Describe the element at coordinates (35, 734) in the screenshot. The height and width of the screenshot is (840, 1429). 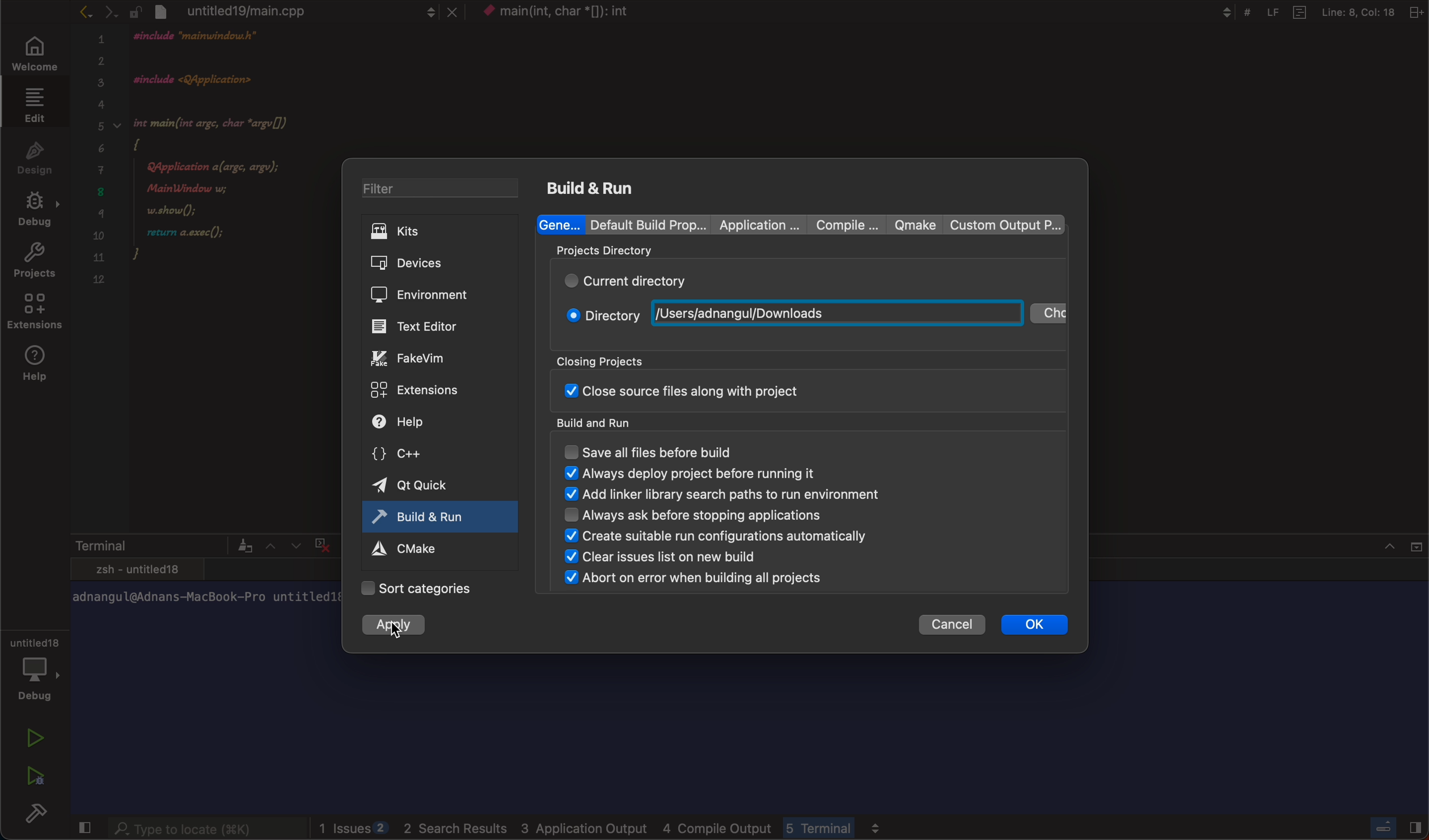
I see `run` at that location.